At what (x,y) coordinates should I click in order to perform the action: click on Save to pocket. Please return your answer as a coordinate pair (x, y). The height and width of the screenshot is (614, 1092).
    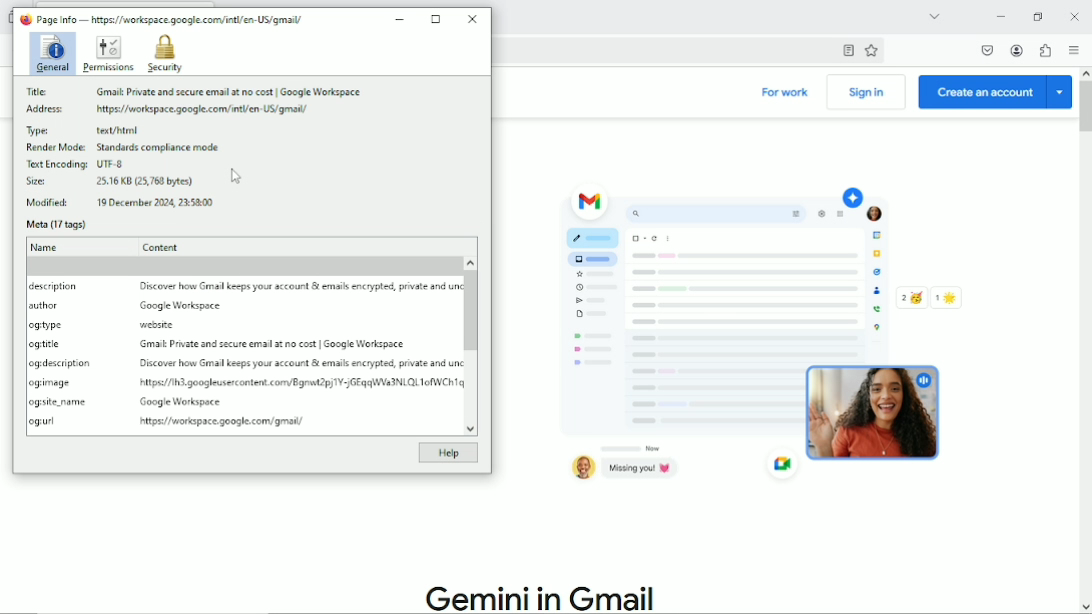
    Looking at the image, I should click on (986, 50).